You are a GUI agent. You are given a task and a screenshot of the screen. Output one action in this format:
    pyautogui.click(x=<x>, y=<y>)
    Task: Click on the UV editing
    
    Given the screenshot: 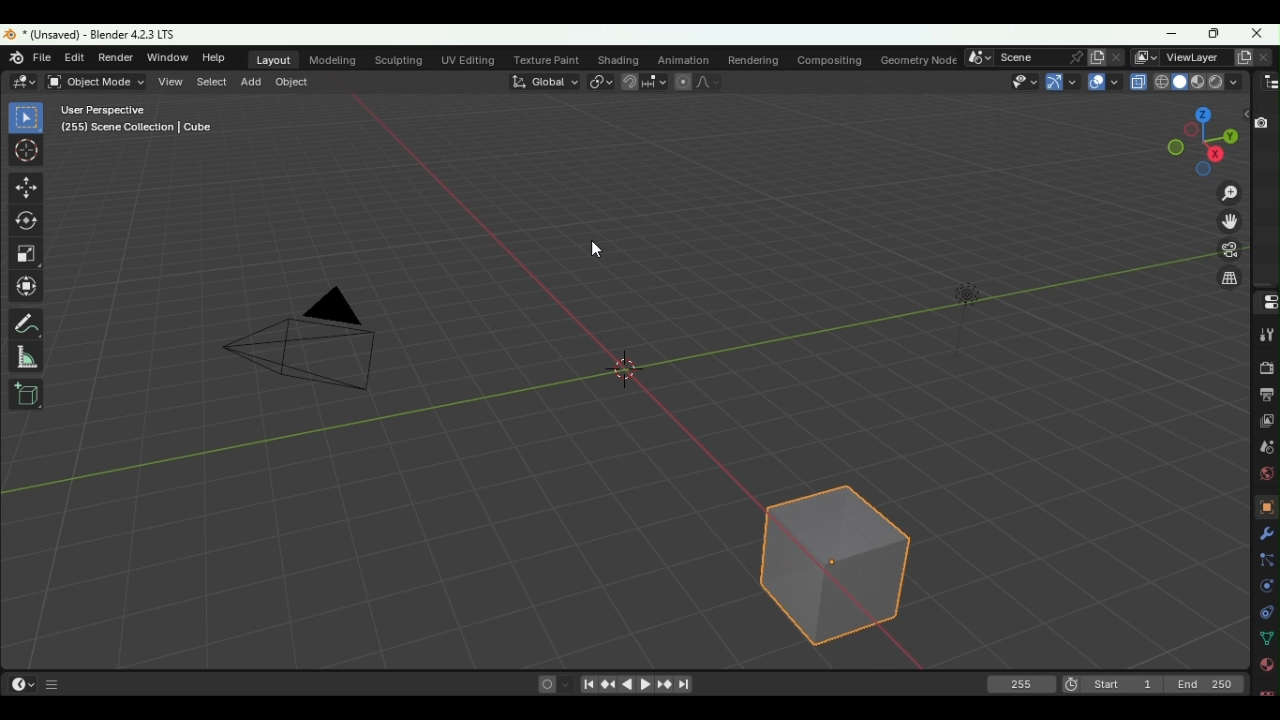 What is the action you would take?
    pyautogui.click(x=472, y=57)
    